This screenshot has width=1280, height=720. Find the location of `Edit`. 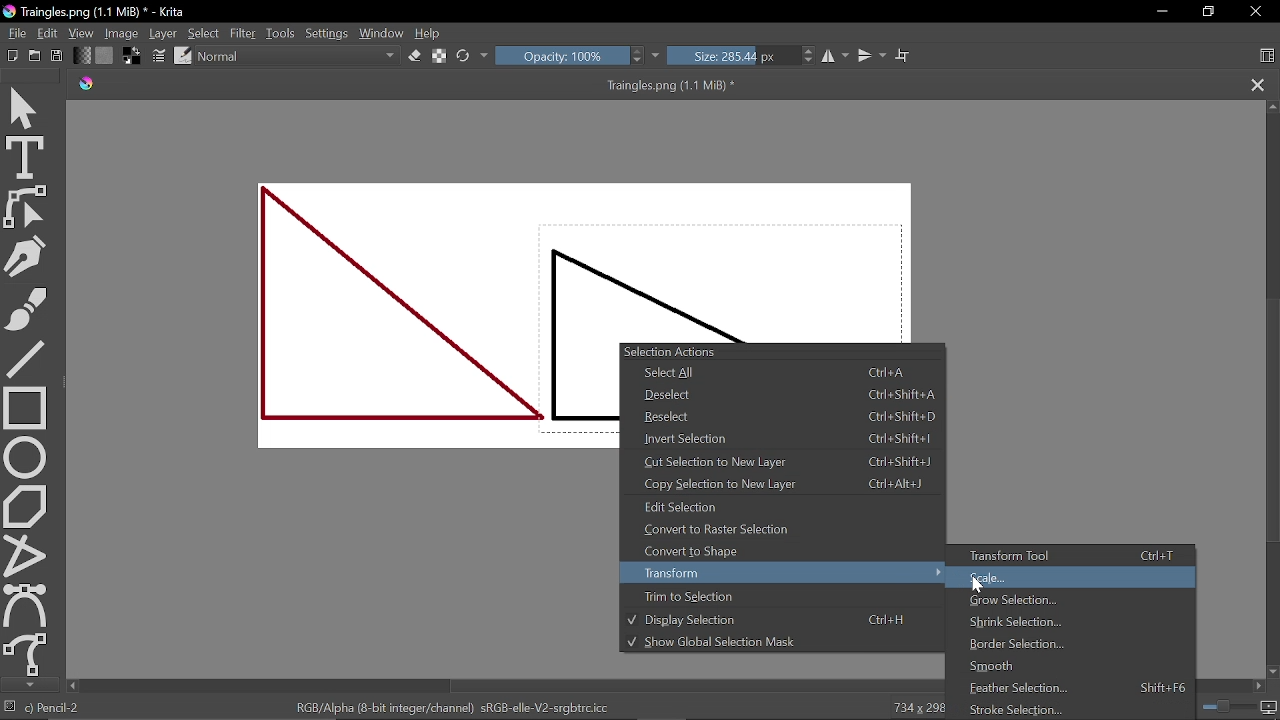

Edit is located at coordinates (47, 33).